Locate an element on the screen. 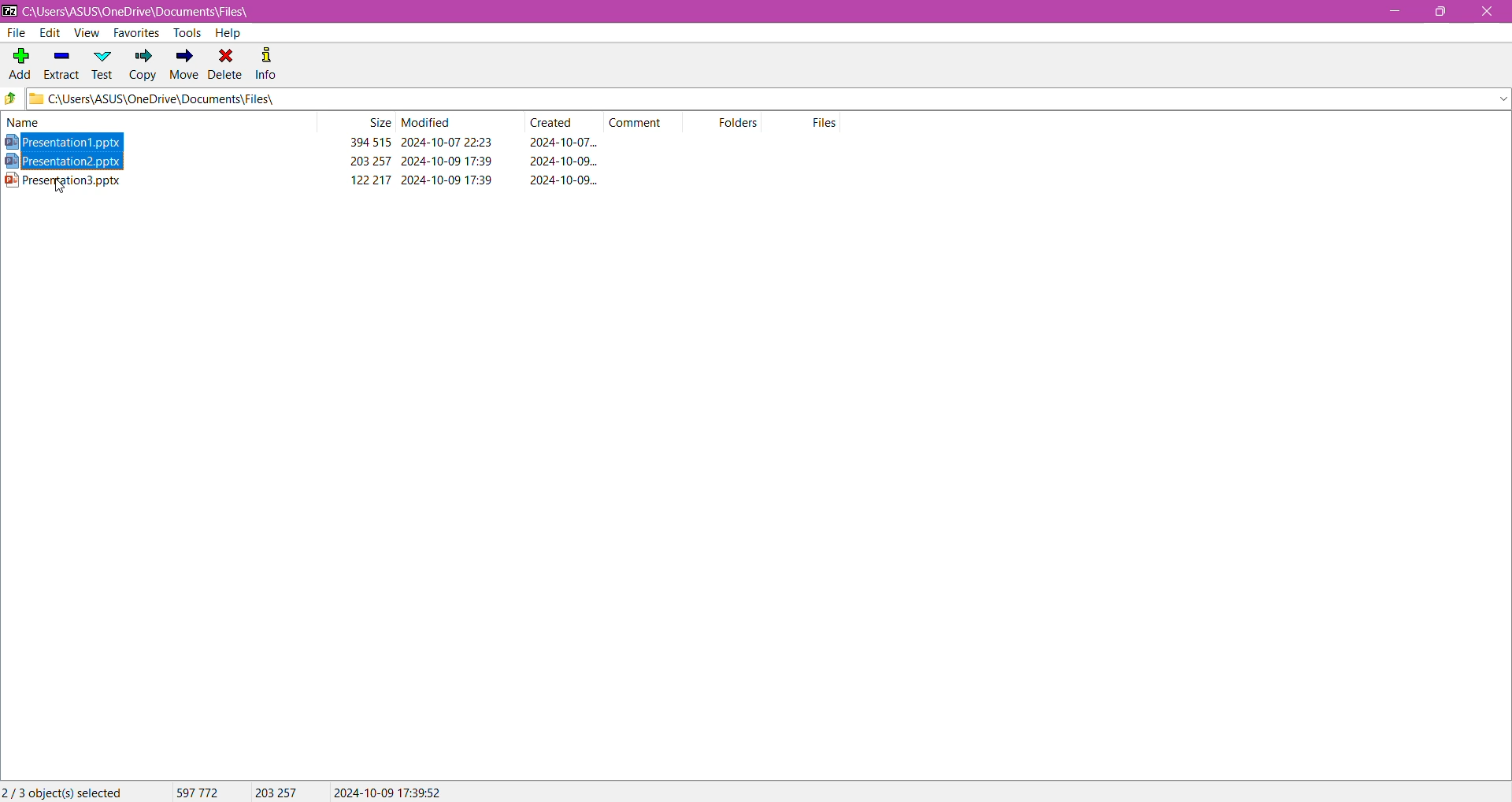  Application Logo is located at coordinates (9, 10).